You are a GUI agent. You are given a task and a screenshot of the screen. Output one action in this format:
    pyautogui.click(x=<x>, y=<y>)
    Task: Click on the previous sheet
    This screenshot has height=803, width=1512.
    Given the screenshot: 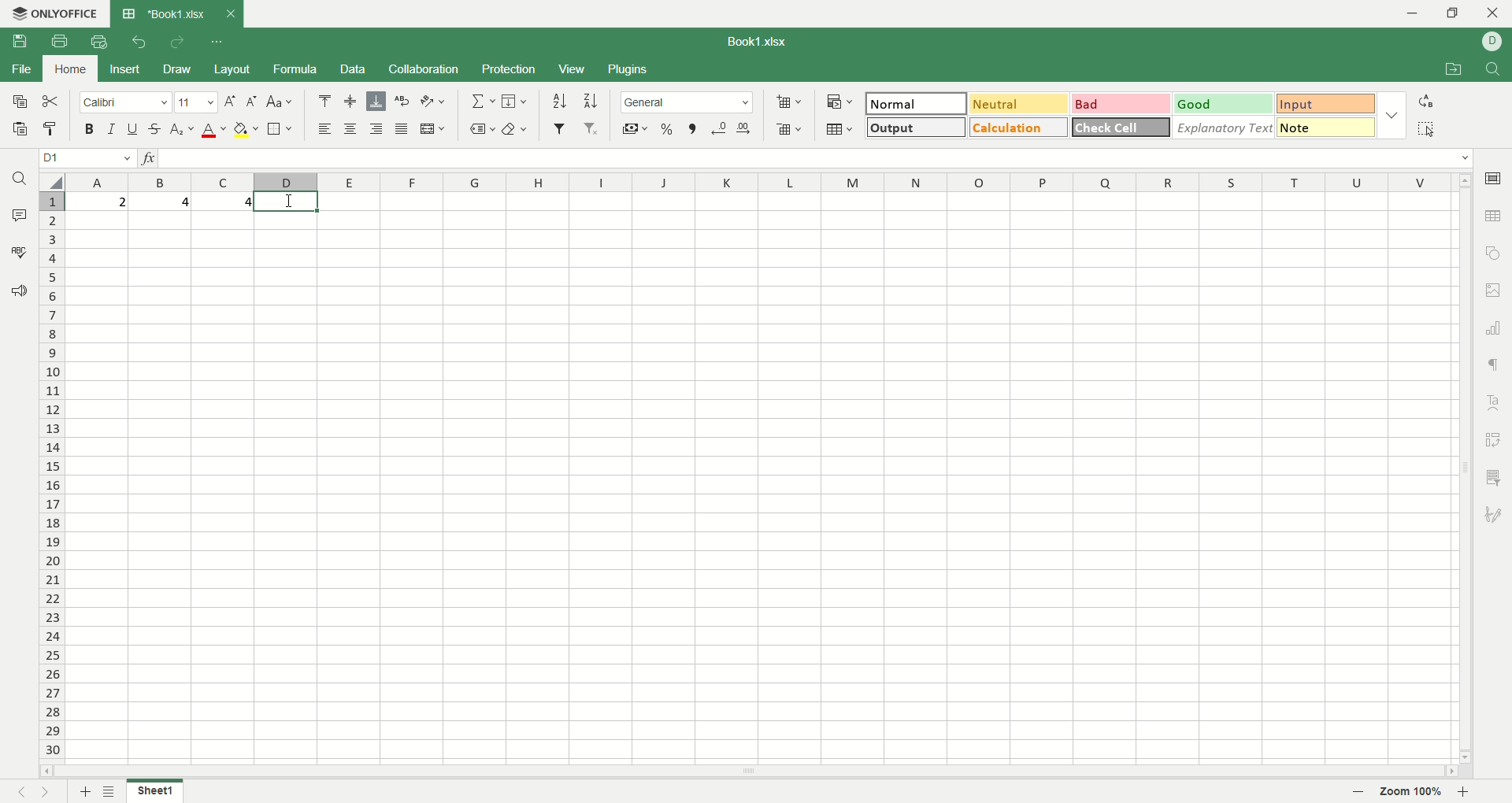 What is the action you would take?
    pyautogui.click(x=17, y=794)
    